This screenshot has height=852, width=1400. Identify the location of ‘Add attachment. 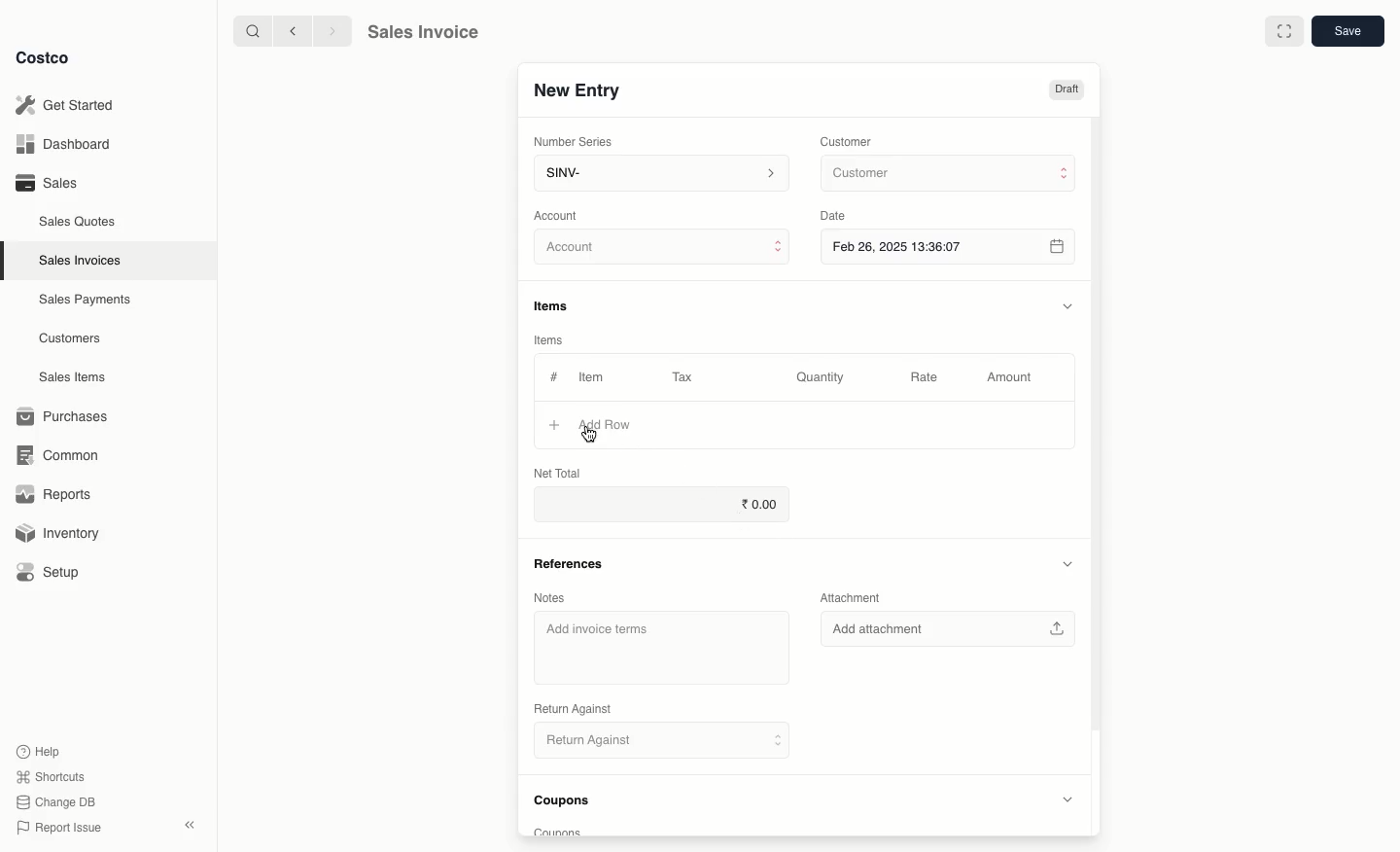
(945, 629).